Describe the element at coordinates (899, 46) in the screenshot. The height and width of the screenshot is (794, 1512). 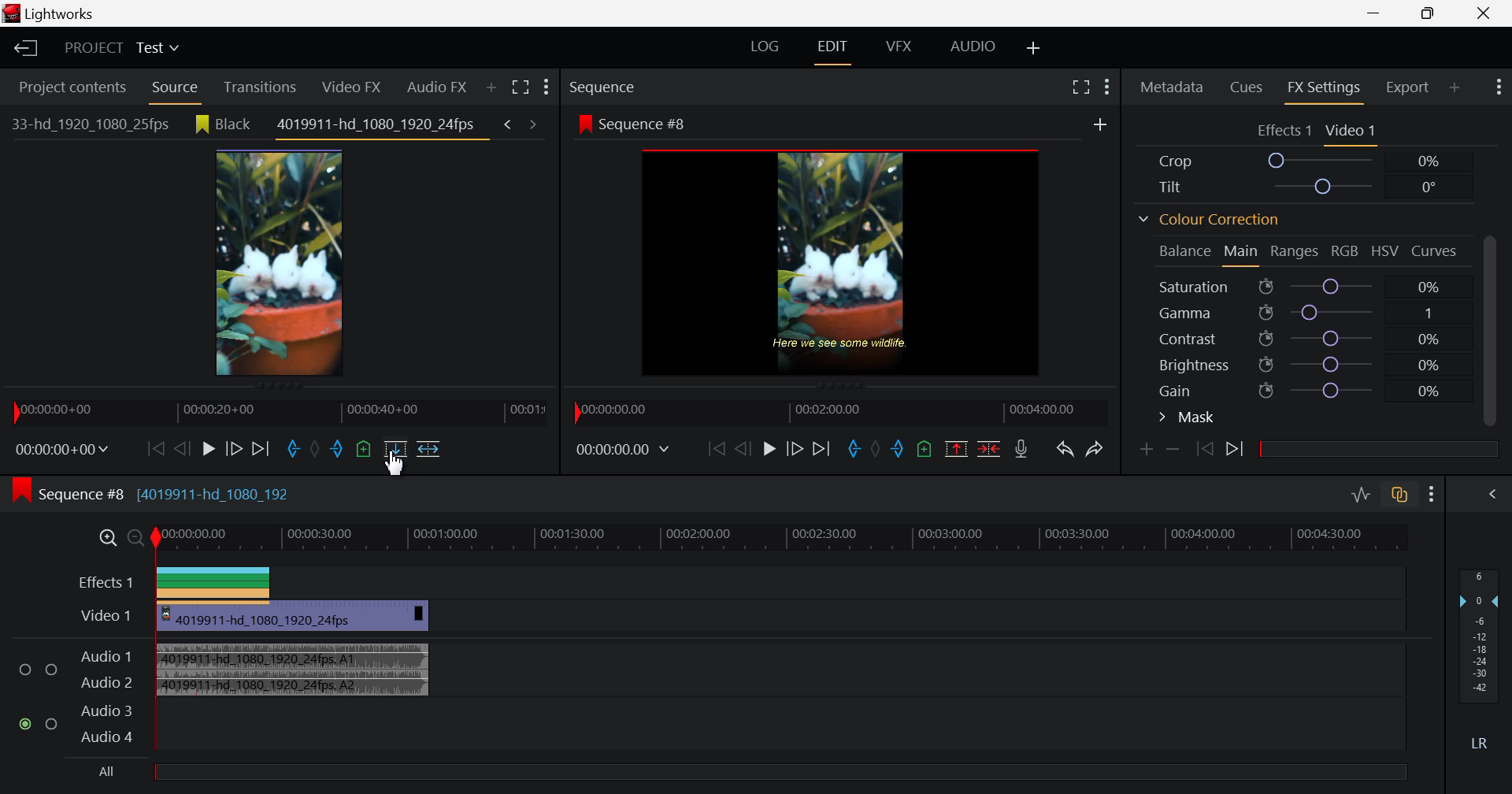
I see `VFX Layout` at that location.